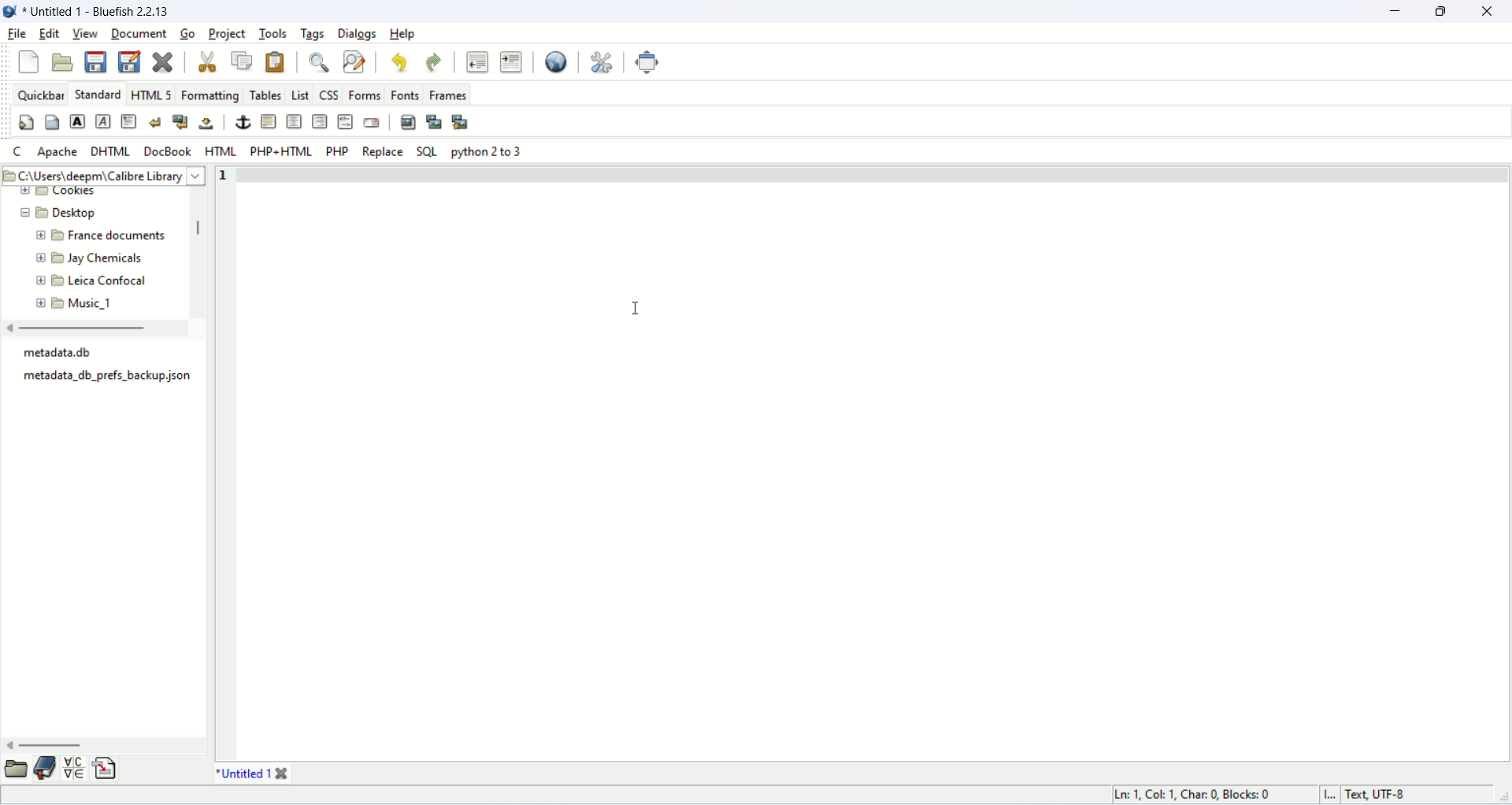  What do you see at coordinates (1403, 12) in the screenshot?
I see `minimize` at bounding box center [1403, 12].